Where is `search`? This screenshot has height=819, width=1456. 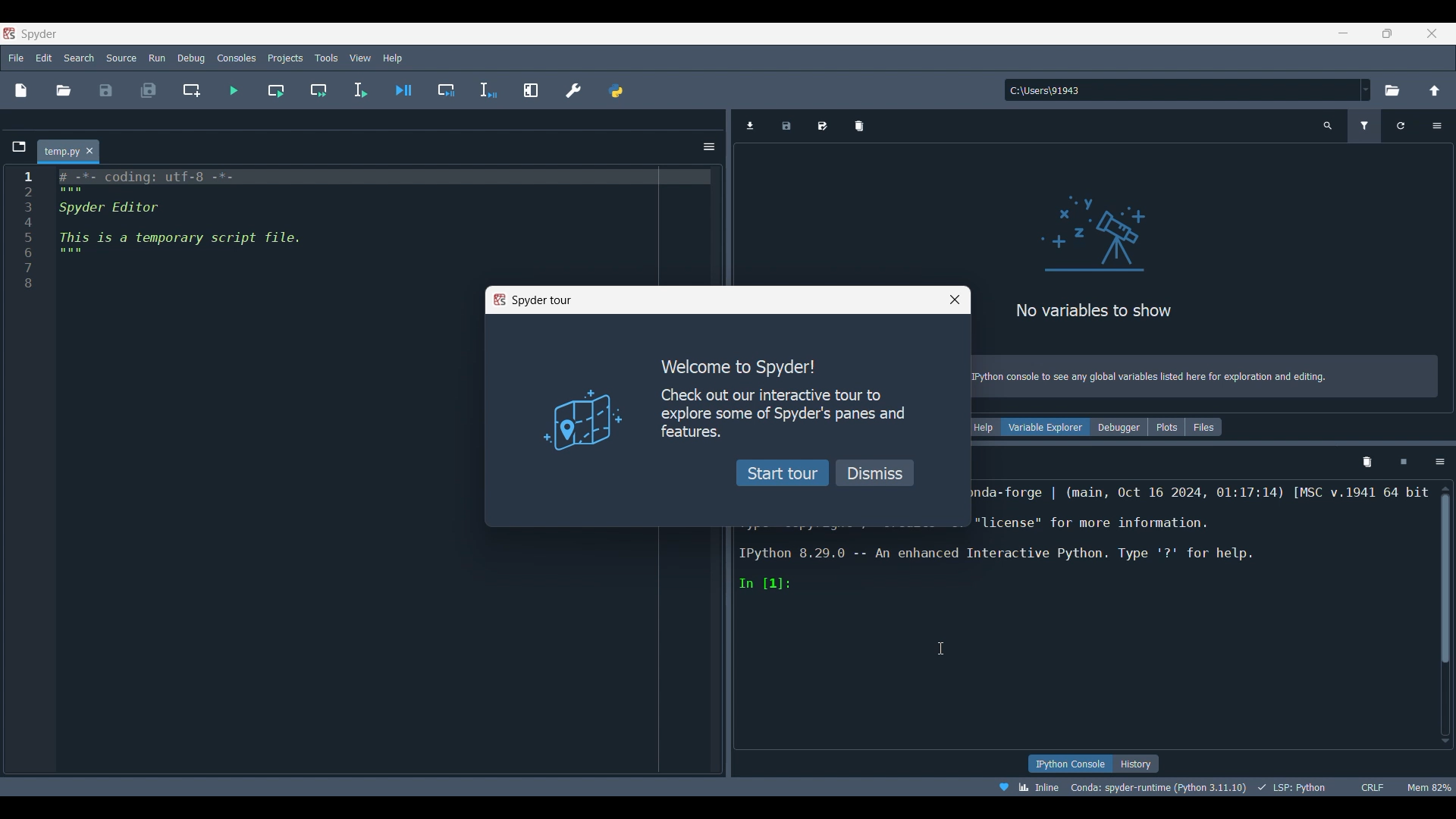 search is located at coordinates (1331, 128).